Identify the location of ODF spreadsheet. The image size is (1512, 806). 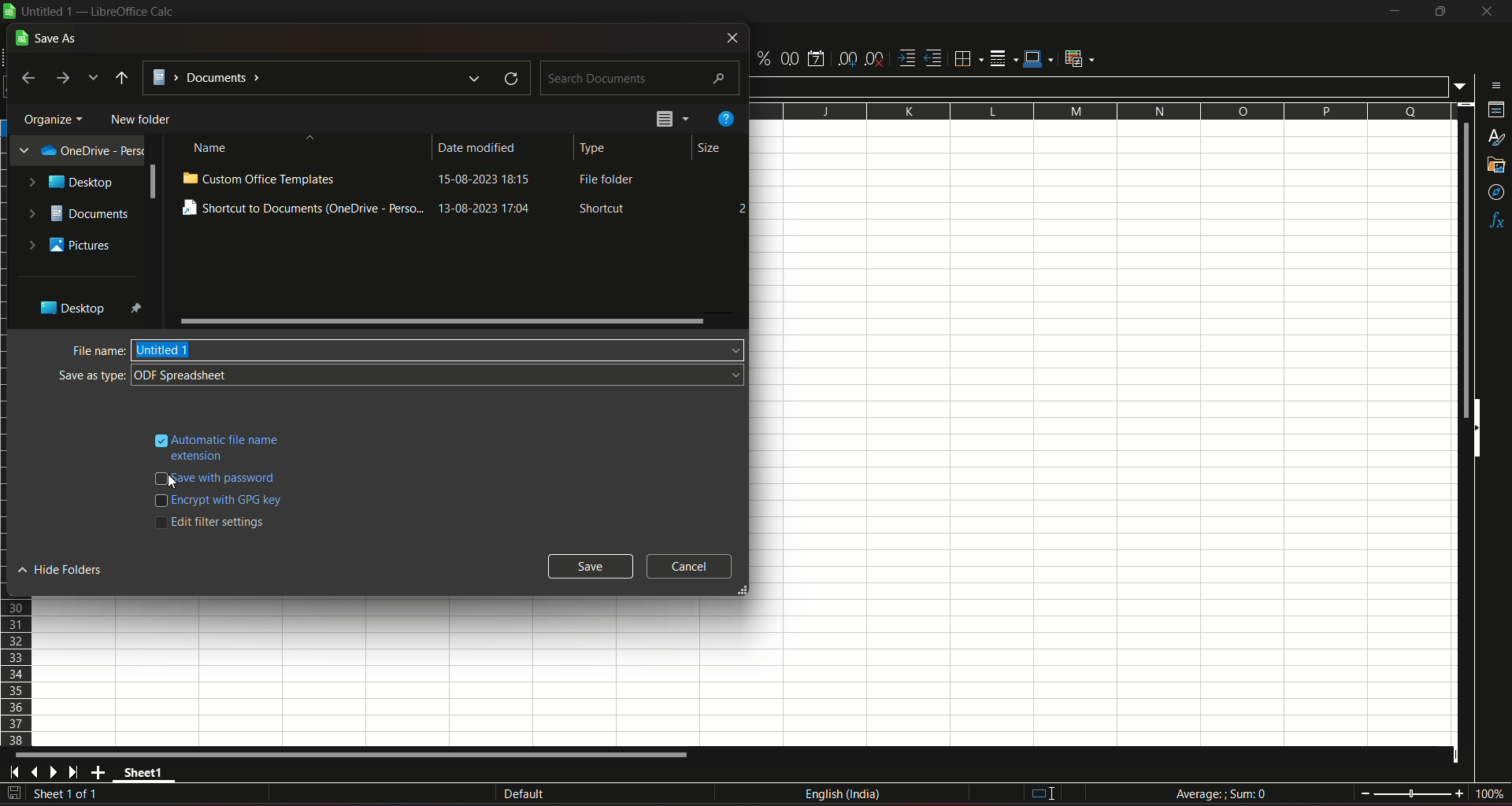
(441, 375).